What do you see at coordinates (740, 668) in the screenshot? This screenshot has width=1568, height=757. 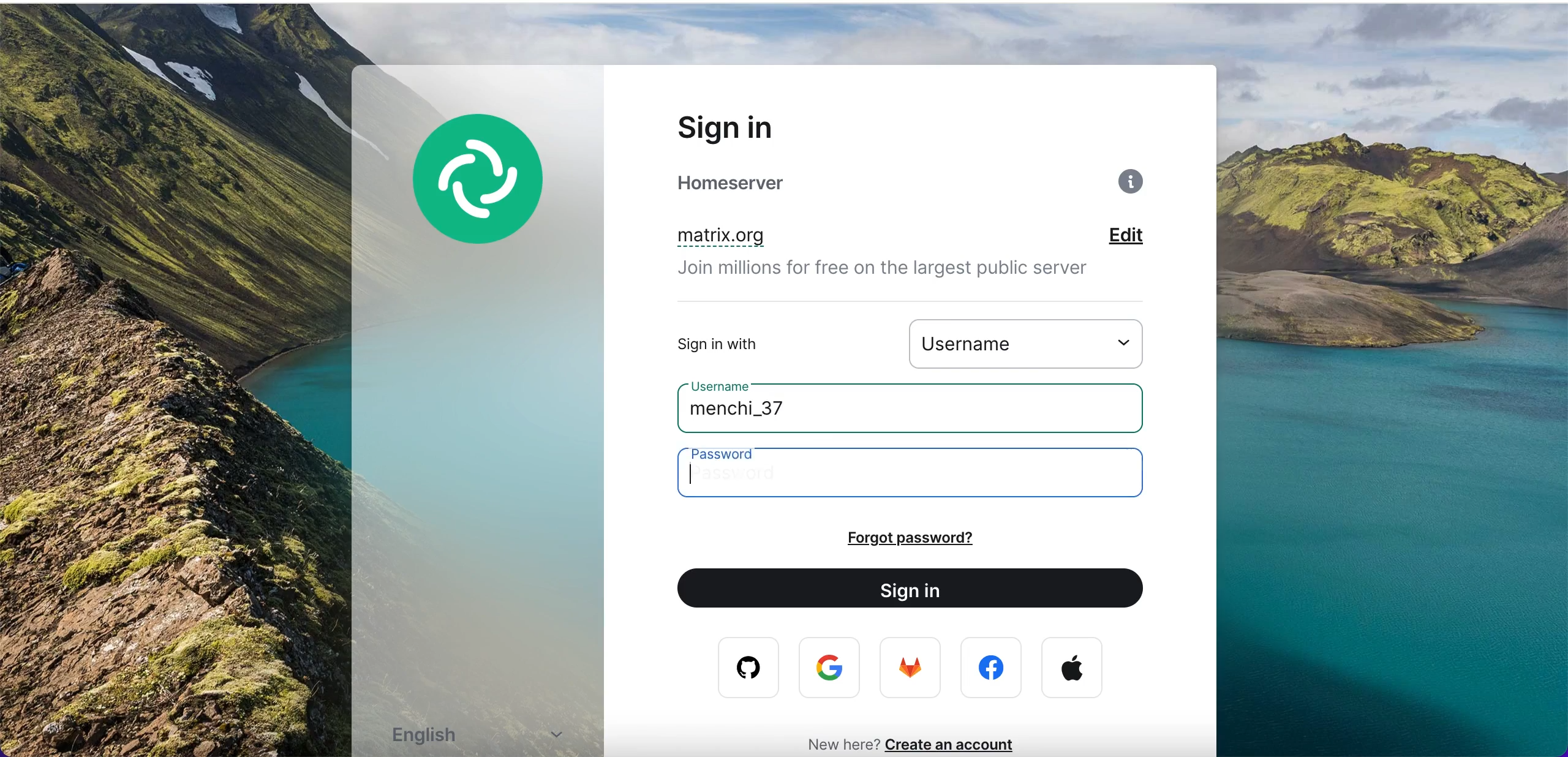 I see `github logo` at bounding box center [740, 668].